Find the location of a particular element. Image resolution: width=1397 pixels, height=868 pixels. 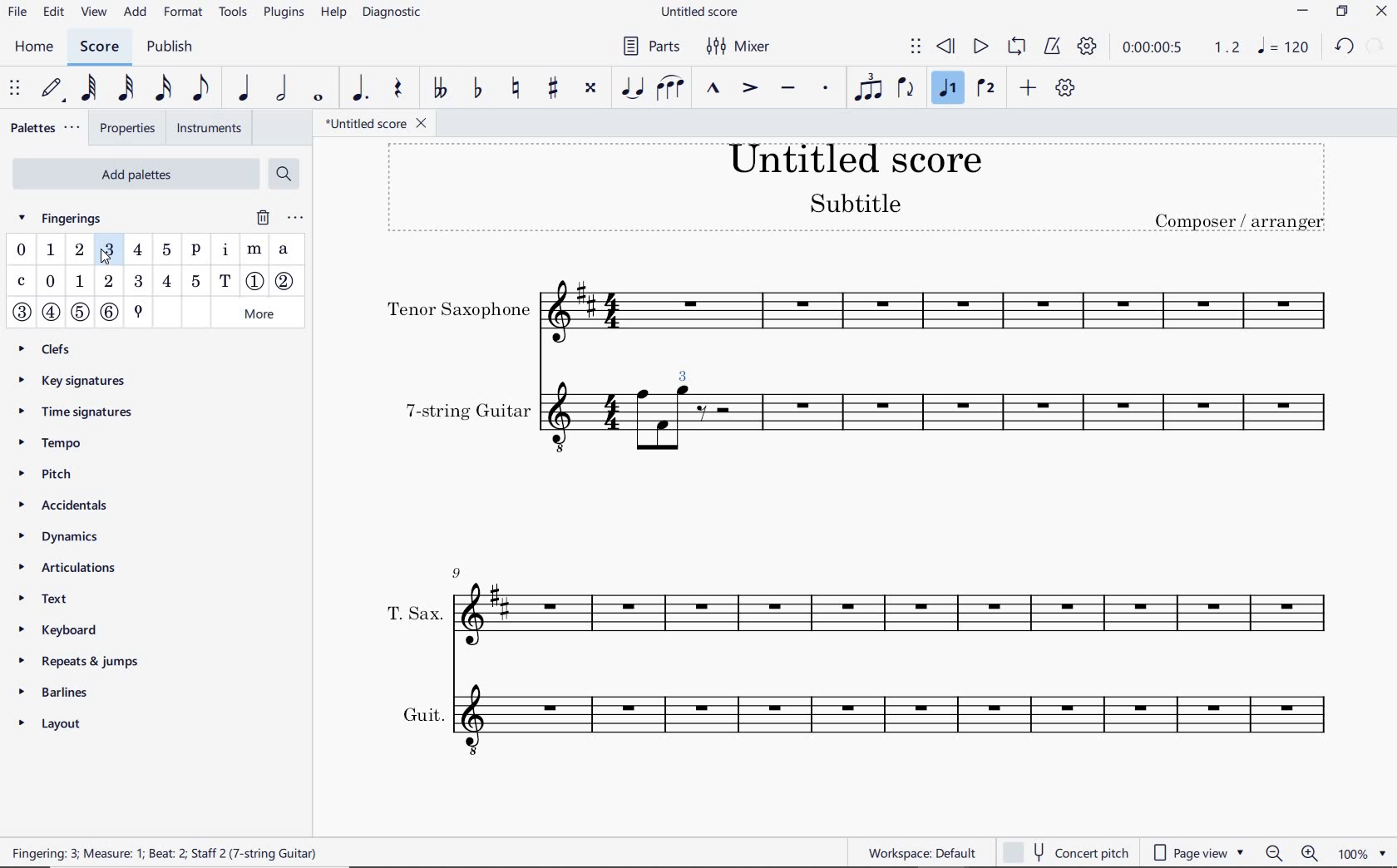

INSTRUMENT: 7-STRING GUITAR is located at coordinates (1022, 421).